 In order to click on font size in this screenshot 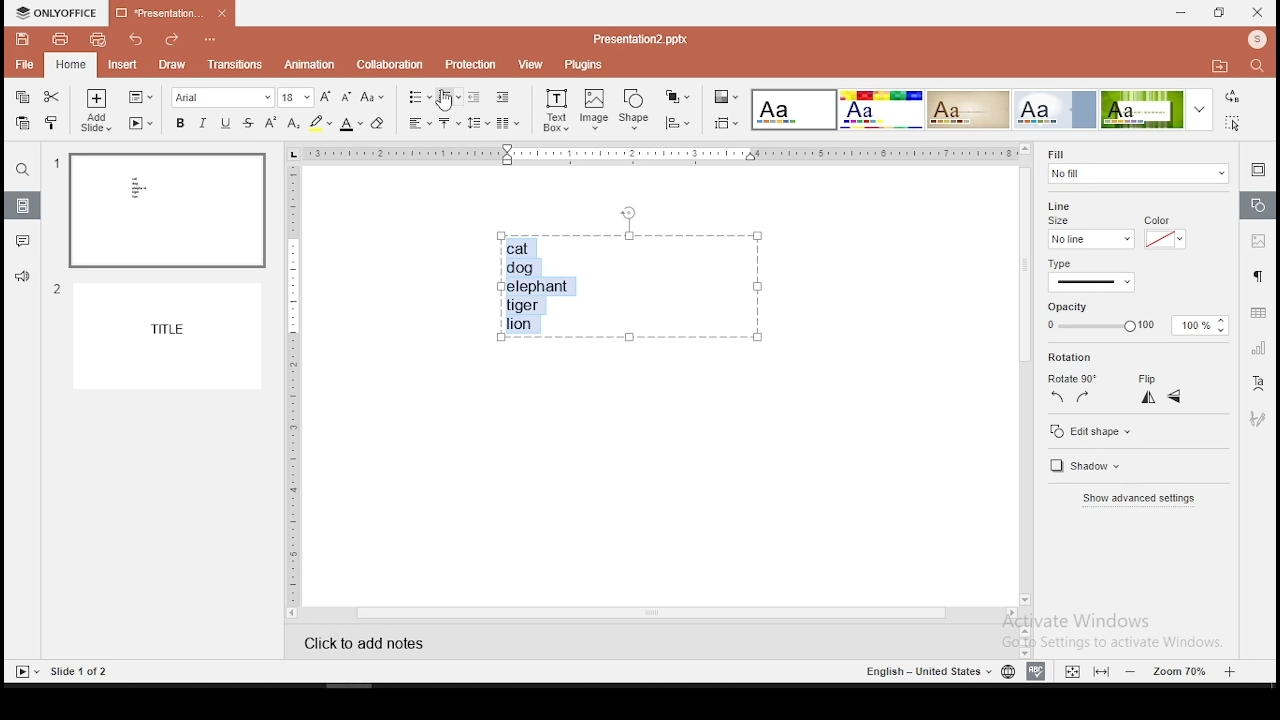, I will do `click(297, 97)`.